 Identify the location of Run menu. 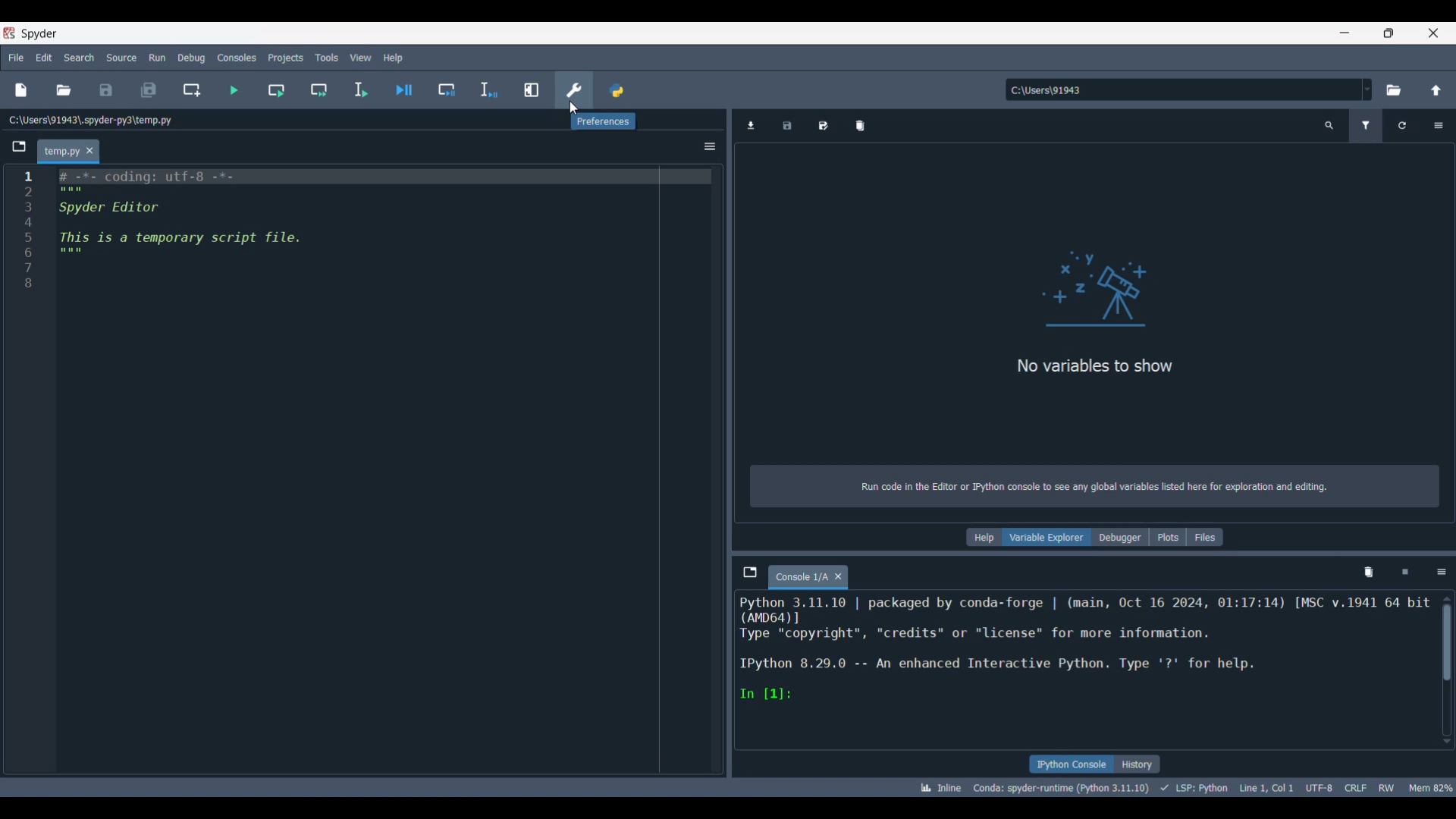
(158, 58).